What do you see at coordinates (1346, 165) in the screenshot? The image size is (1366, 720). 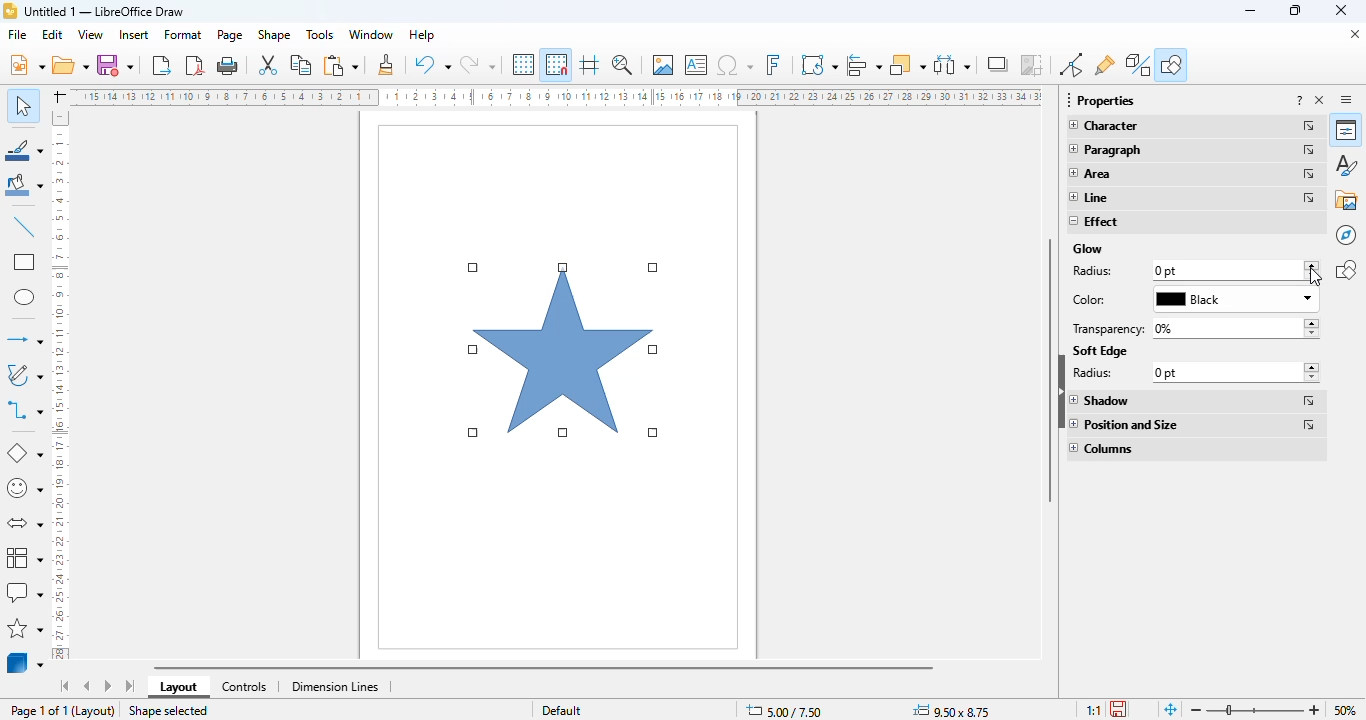 I see `styles` at bounding box center [1346, 165].